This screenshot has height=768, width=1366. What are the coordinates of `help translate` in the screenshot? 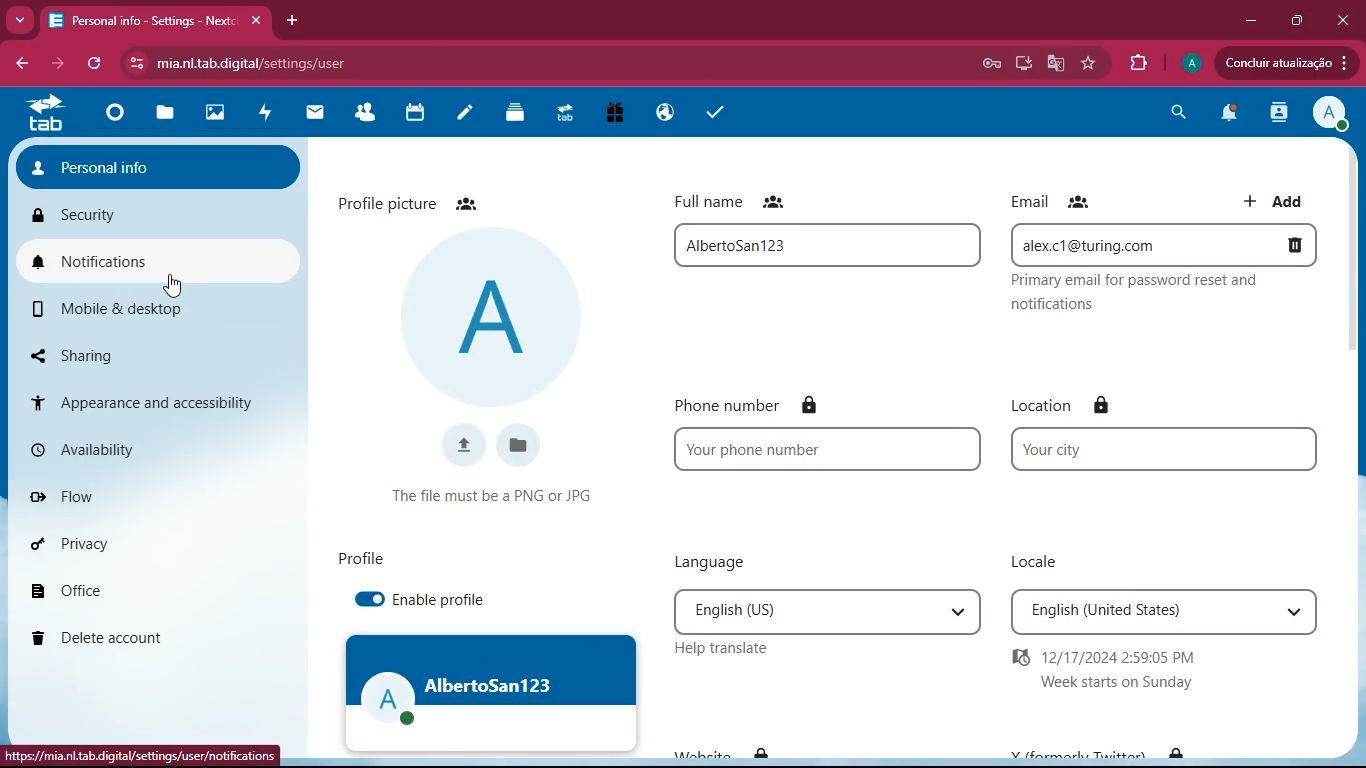 It's located at (721, 650).